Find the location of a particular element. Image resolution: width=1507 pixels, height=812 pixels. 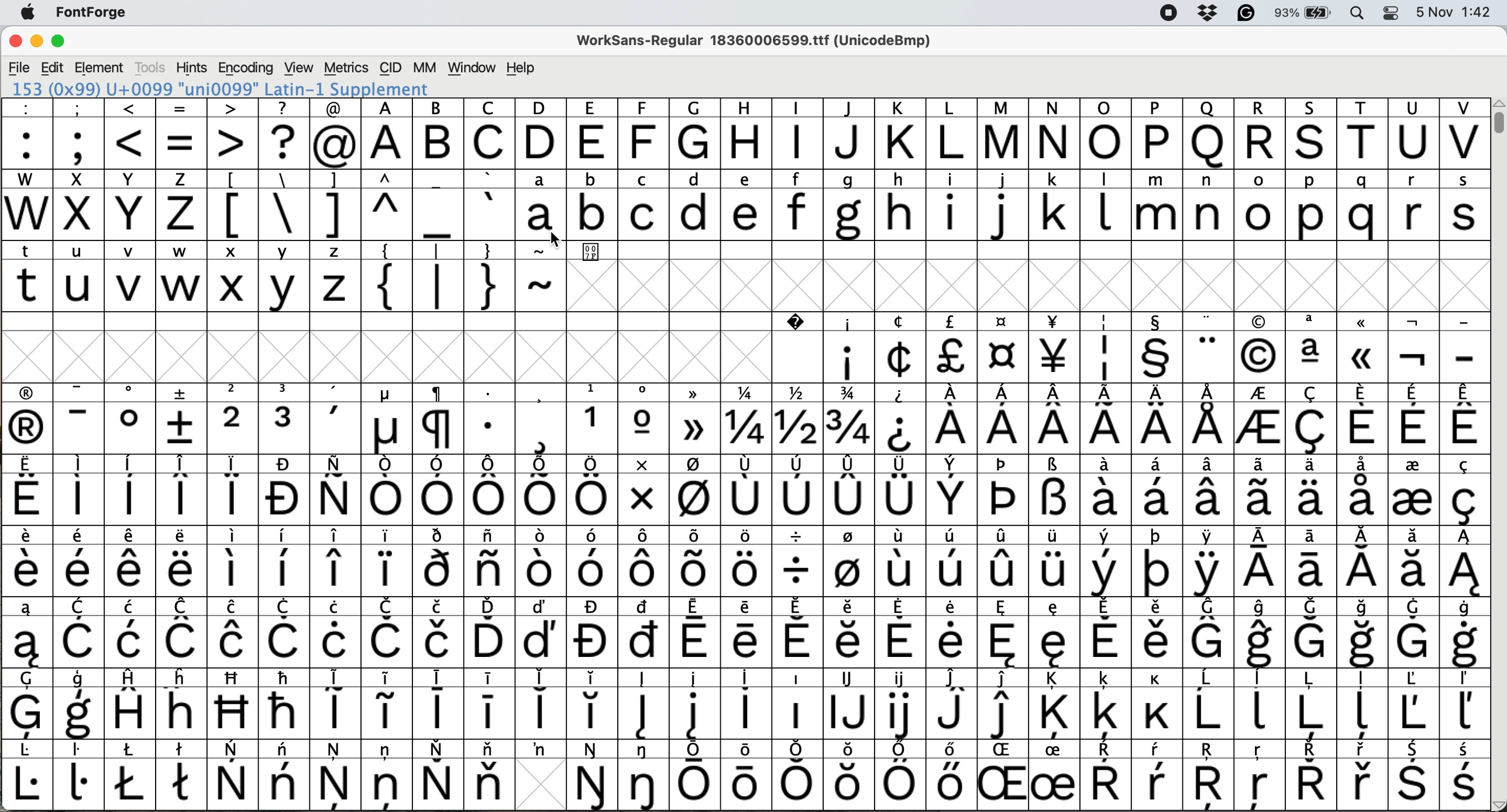

 is located at coordinates (183, 703).